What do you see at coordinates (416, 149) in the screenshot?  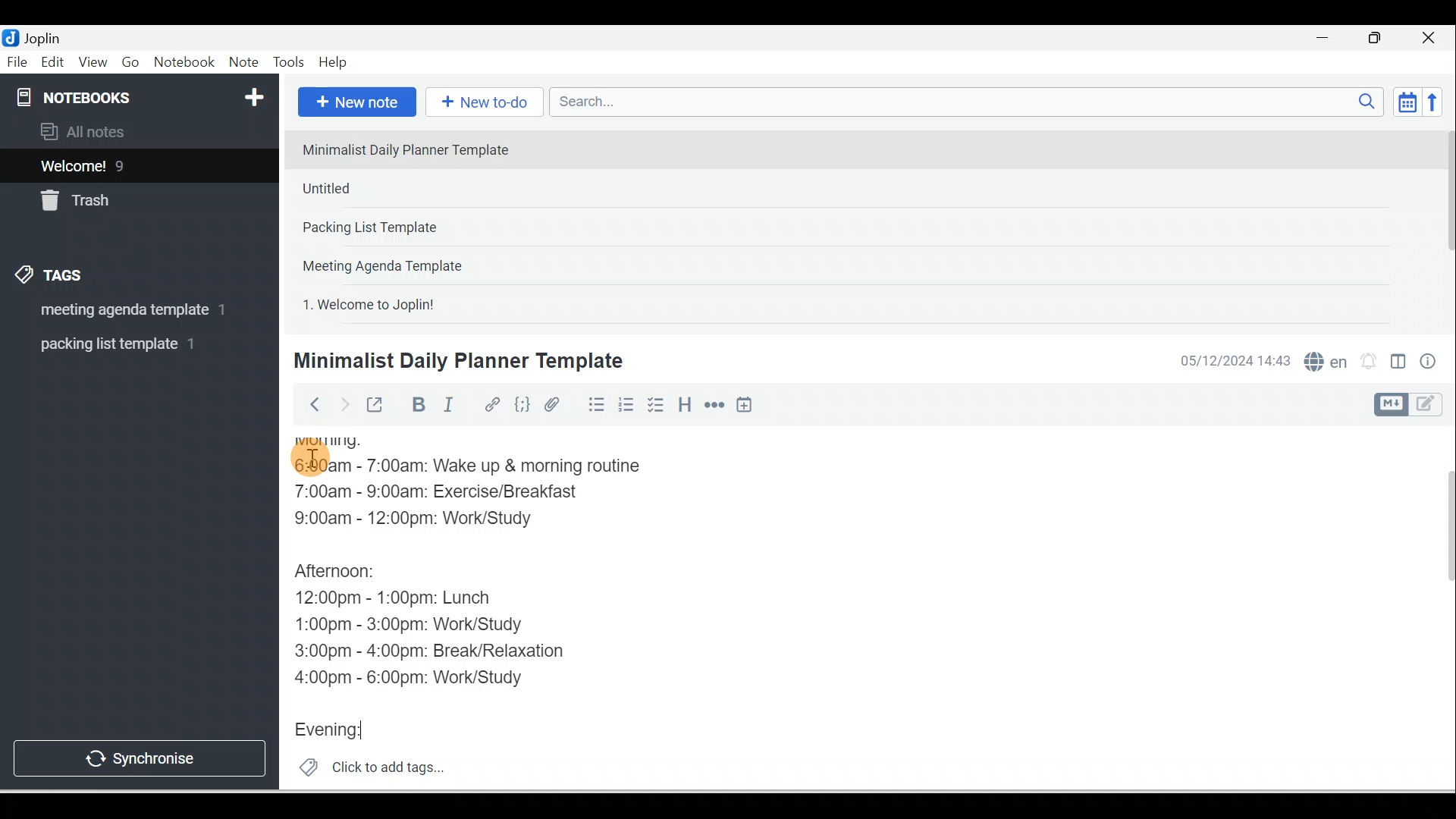 I see `Note 1` at bounding box center [416, 149].